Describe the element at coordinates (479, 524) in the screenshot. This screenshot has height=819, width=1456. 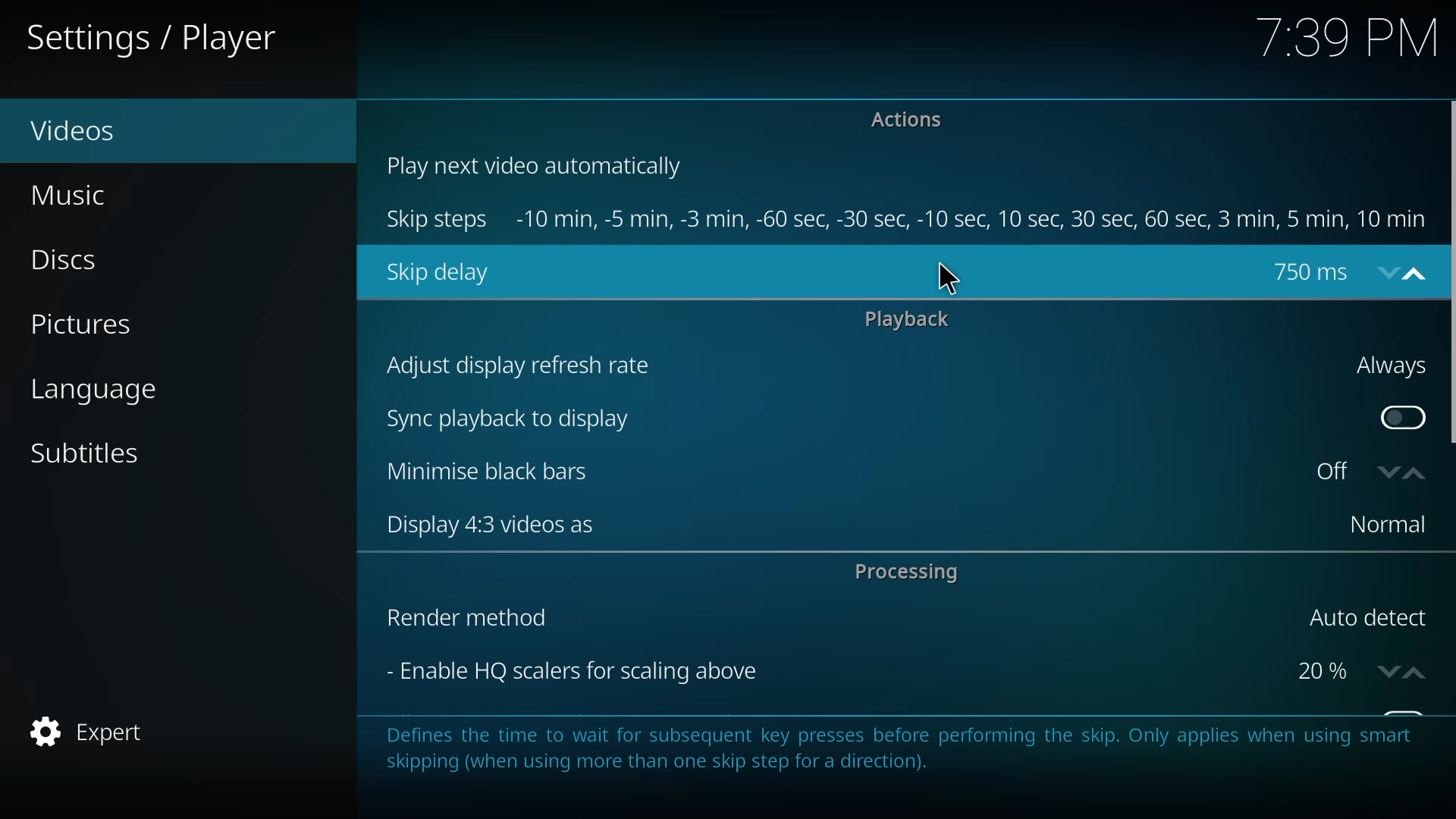
I see `display 4:3 video` at that location.